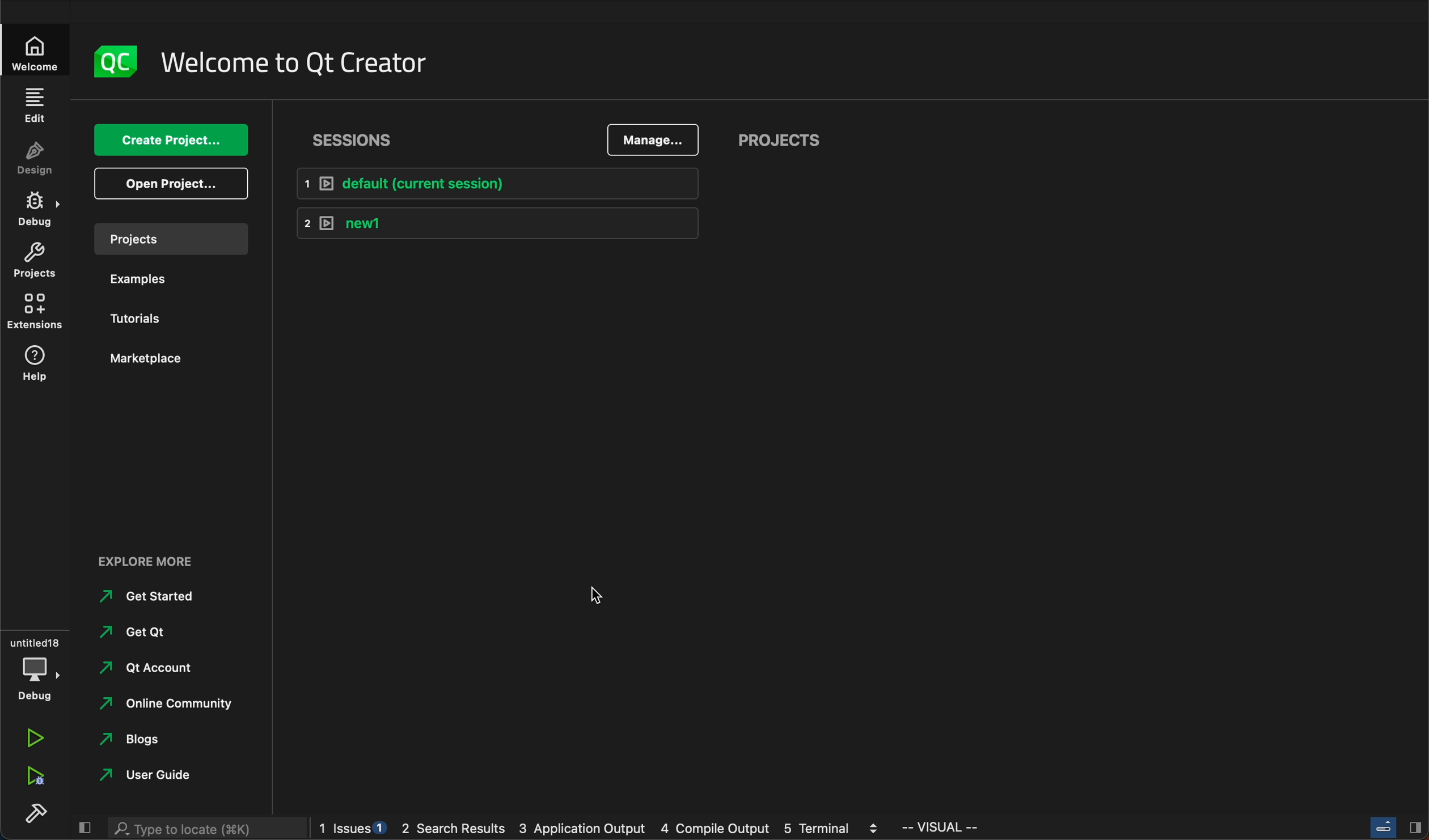 The image size is (1429, 840). I want to click on open, so click(168, 183).